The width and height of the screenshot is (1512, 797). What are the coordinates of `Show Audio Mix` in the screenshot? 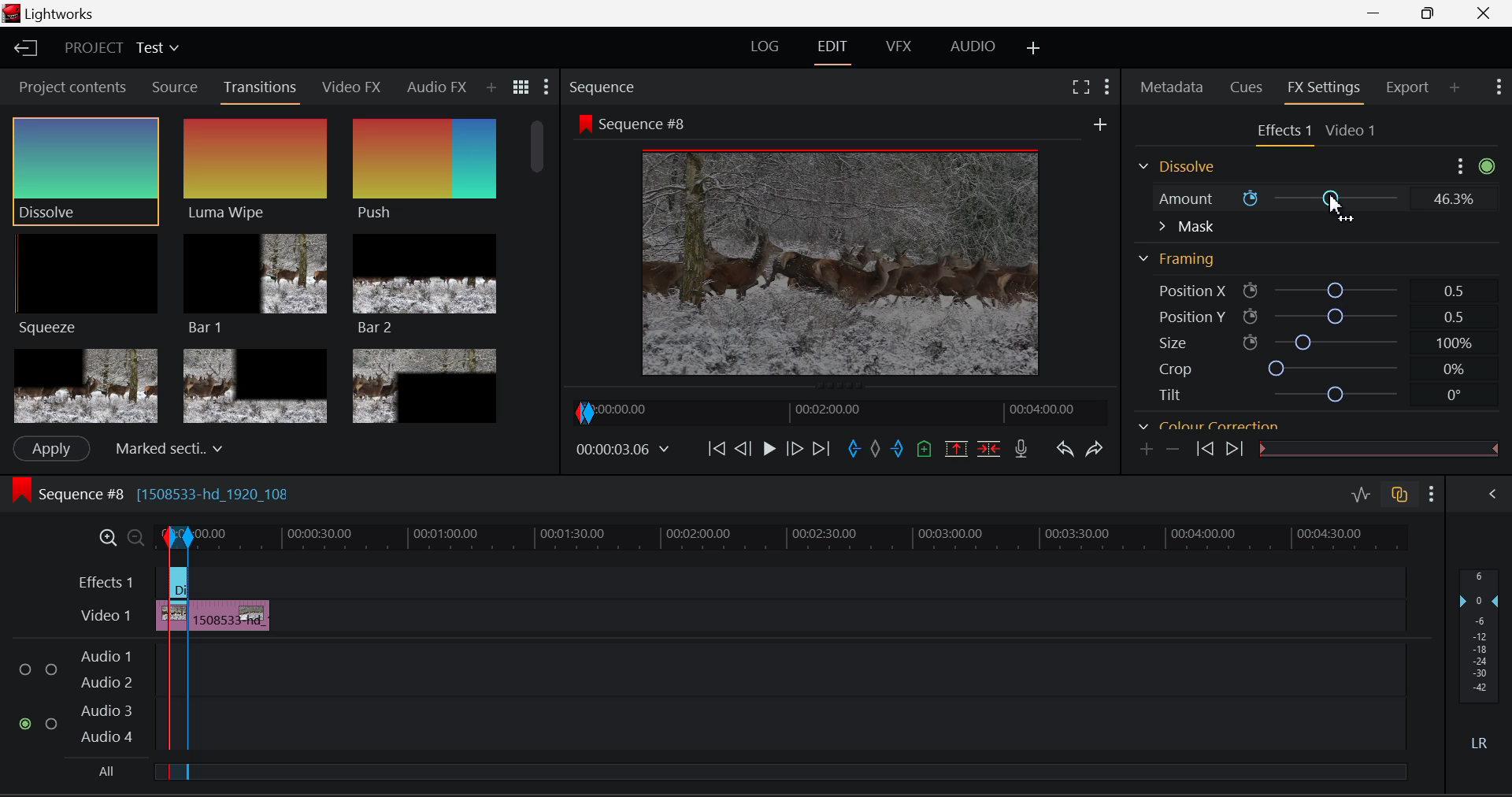 It's located at (1493, 496).